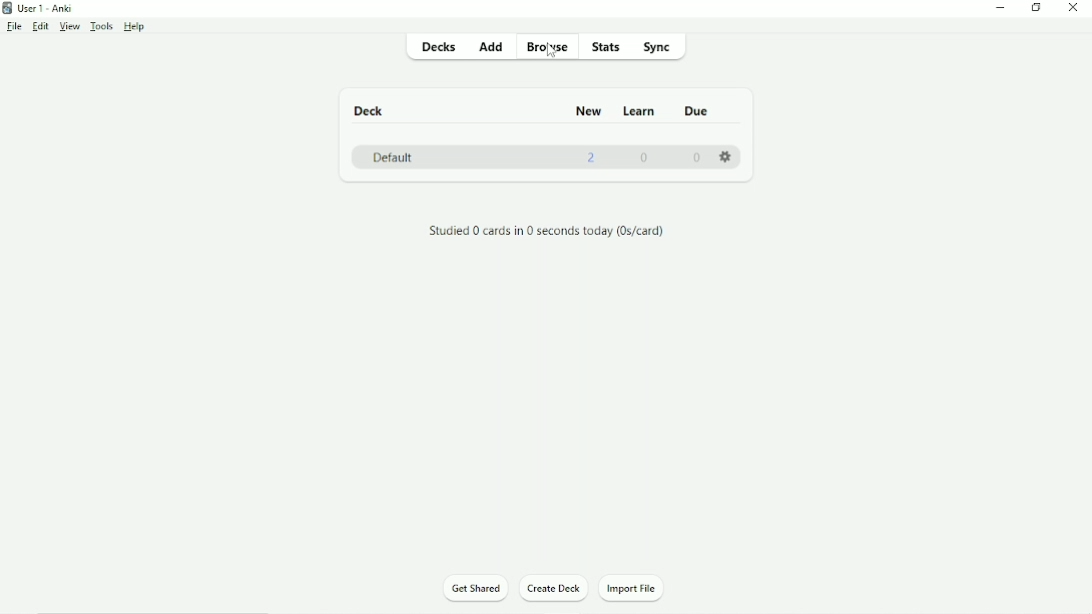  What do you see at coordinates (102, 27) in the screenshot?
I see `Tools` at bounding box center [102, 27].